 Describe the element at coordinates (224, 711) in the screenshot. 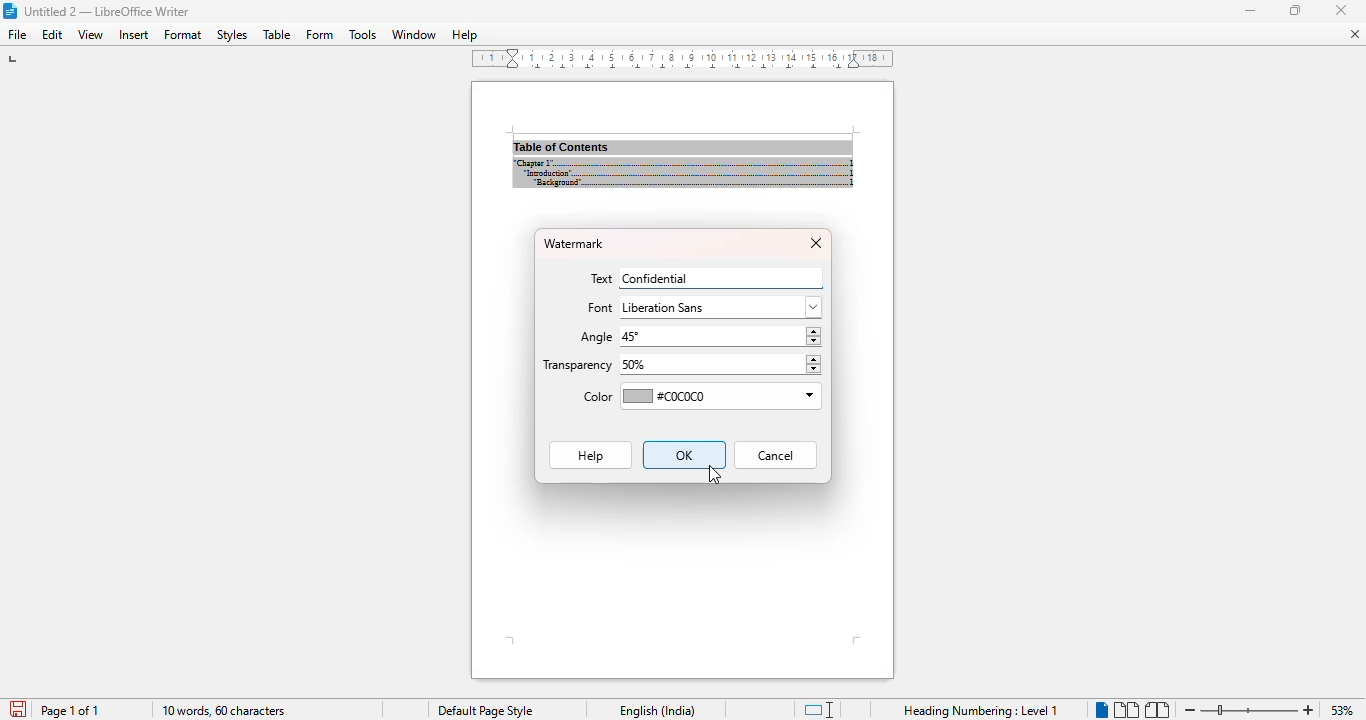

I see `10 words, 60 characters` at that location.